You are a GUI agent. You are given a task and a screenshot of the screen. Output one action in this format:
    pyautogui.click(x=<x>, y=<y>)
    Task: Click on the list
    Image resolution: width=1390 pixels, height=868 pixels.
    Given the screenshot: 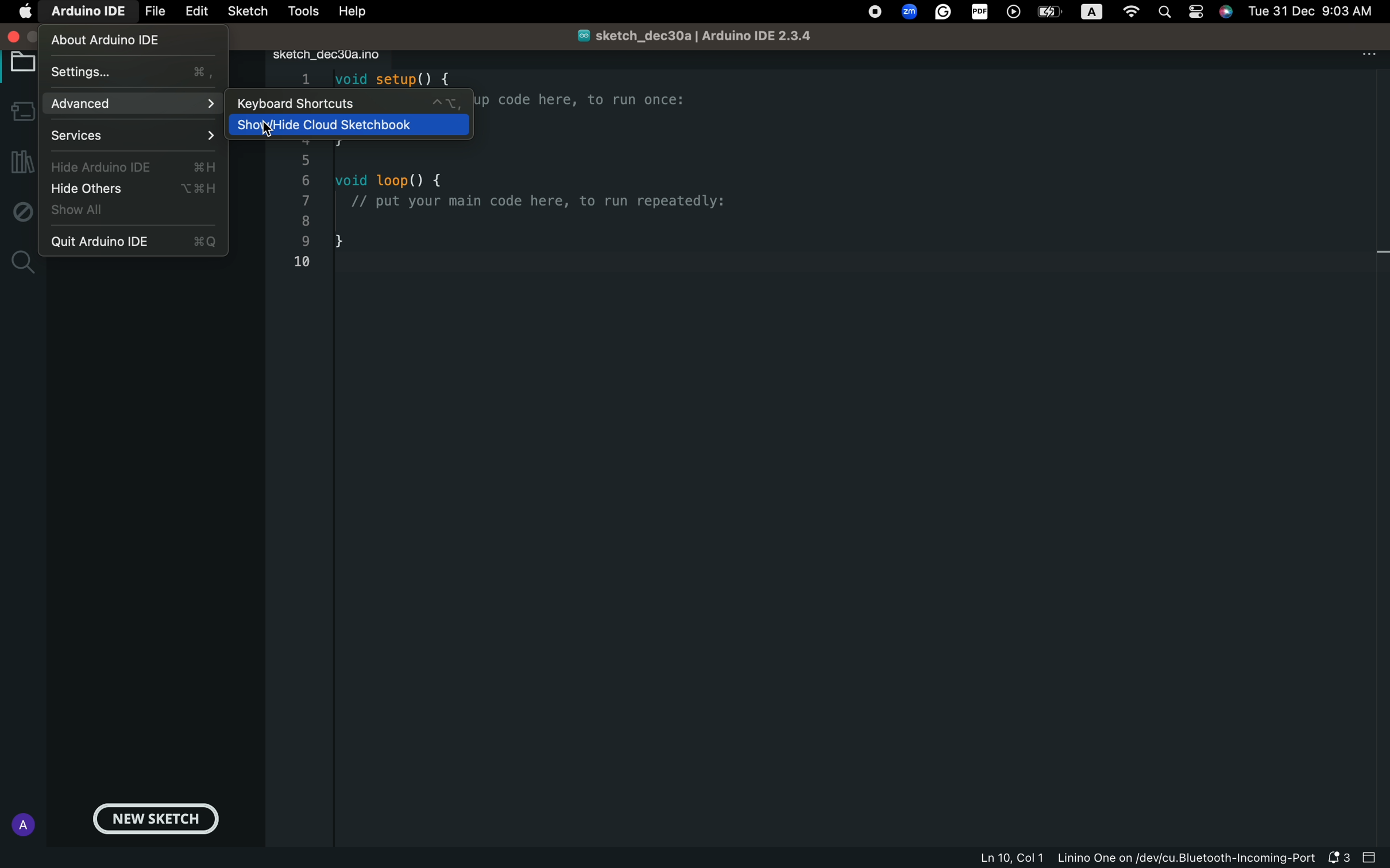 What is the action you would take?
    pyautogui.click(x=309, y=175)
    